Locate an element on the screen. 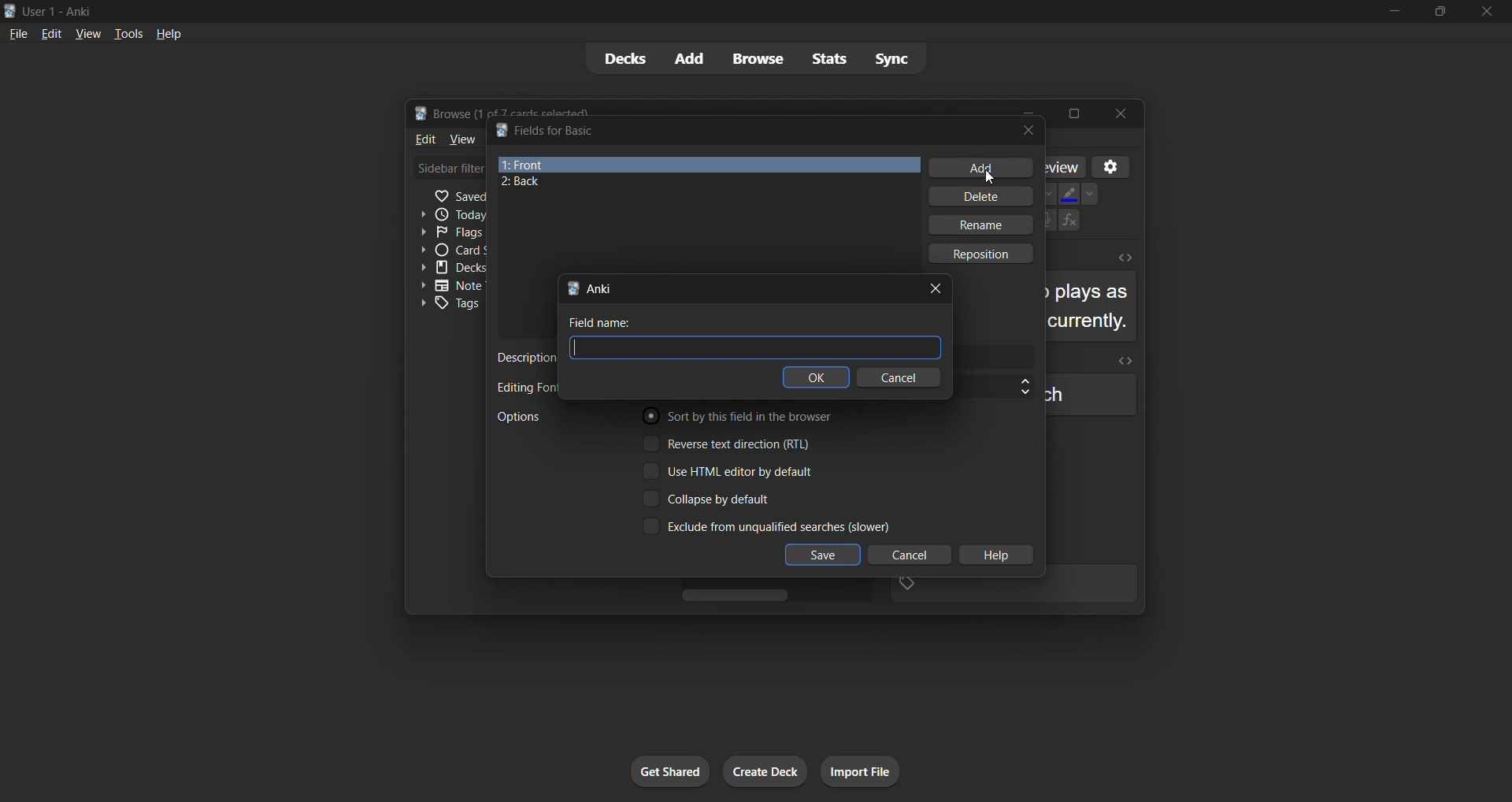 The width and height of the screenshot is (1512, 802). help is located at coordinates (166, 35).